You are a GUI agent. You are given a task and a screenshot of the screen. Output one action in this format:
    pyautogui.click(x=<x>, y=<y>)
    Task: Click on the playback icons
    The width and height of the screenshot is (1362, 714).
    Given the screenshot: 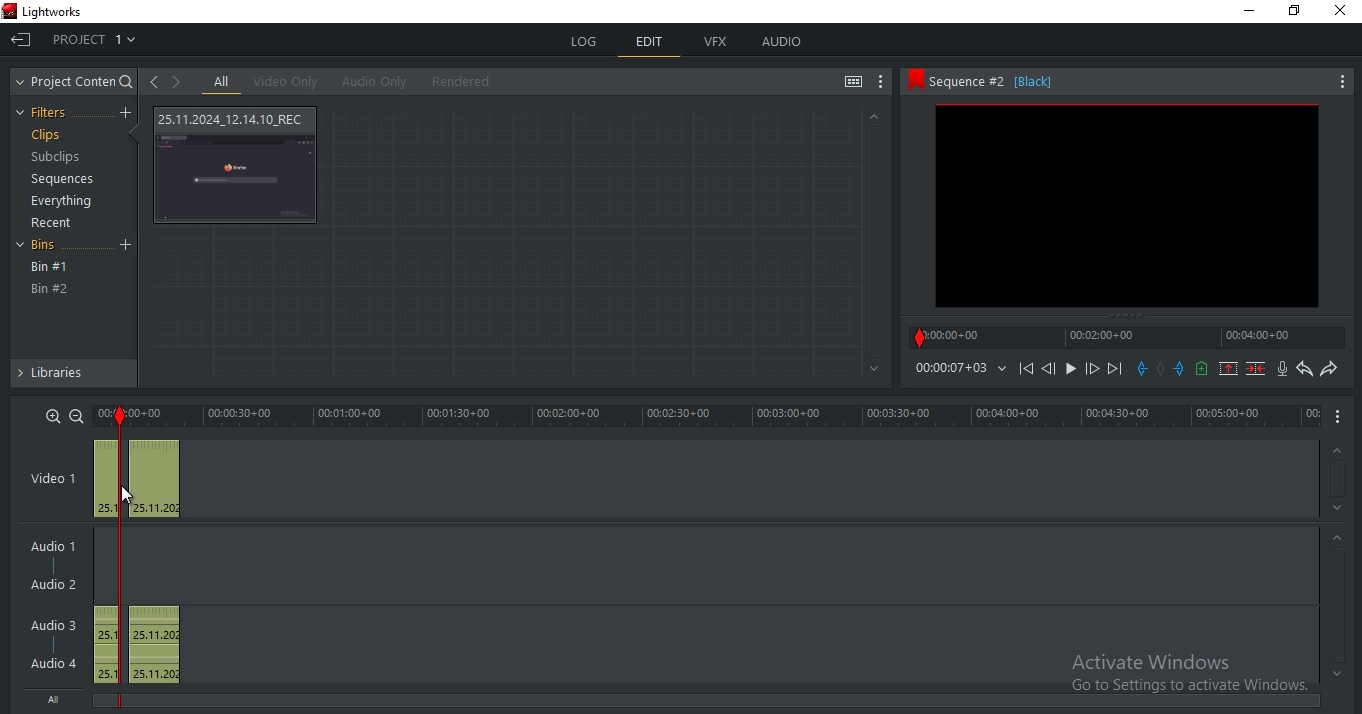 What is the action you would take?
    pyautogui.click(x=1025, y=367)
    